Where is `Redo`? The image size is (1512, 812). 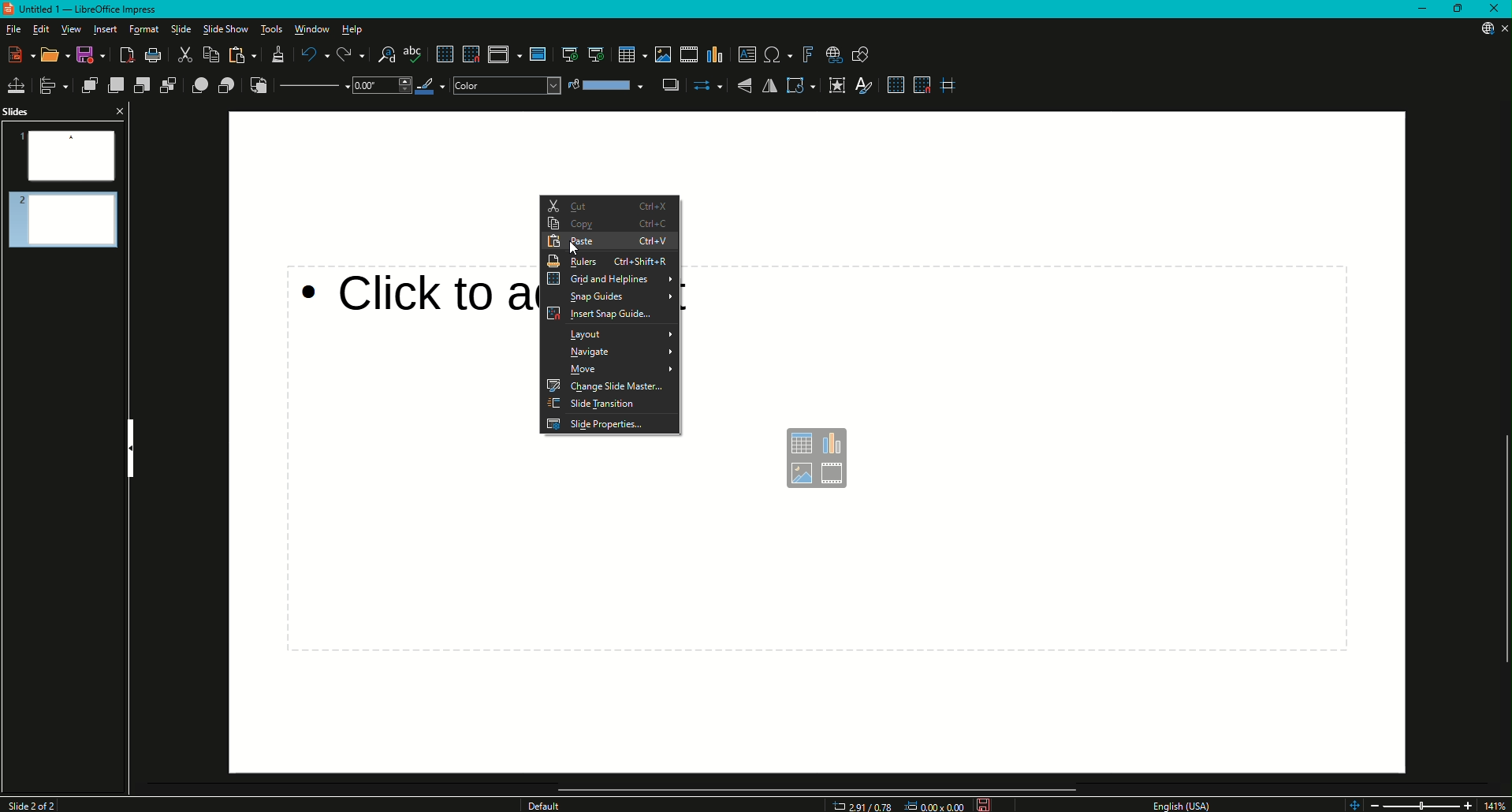
Redo is located at coordinates (345, 52).